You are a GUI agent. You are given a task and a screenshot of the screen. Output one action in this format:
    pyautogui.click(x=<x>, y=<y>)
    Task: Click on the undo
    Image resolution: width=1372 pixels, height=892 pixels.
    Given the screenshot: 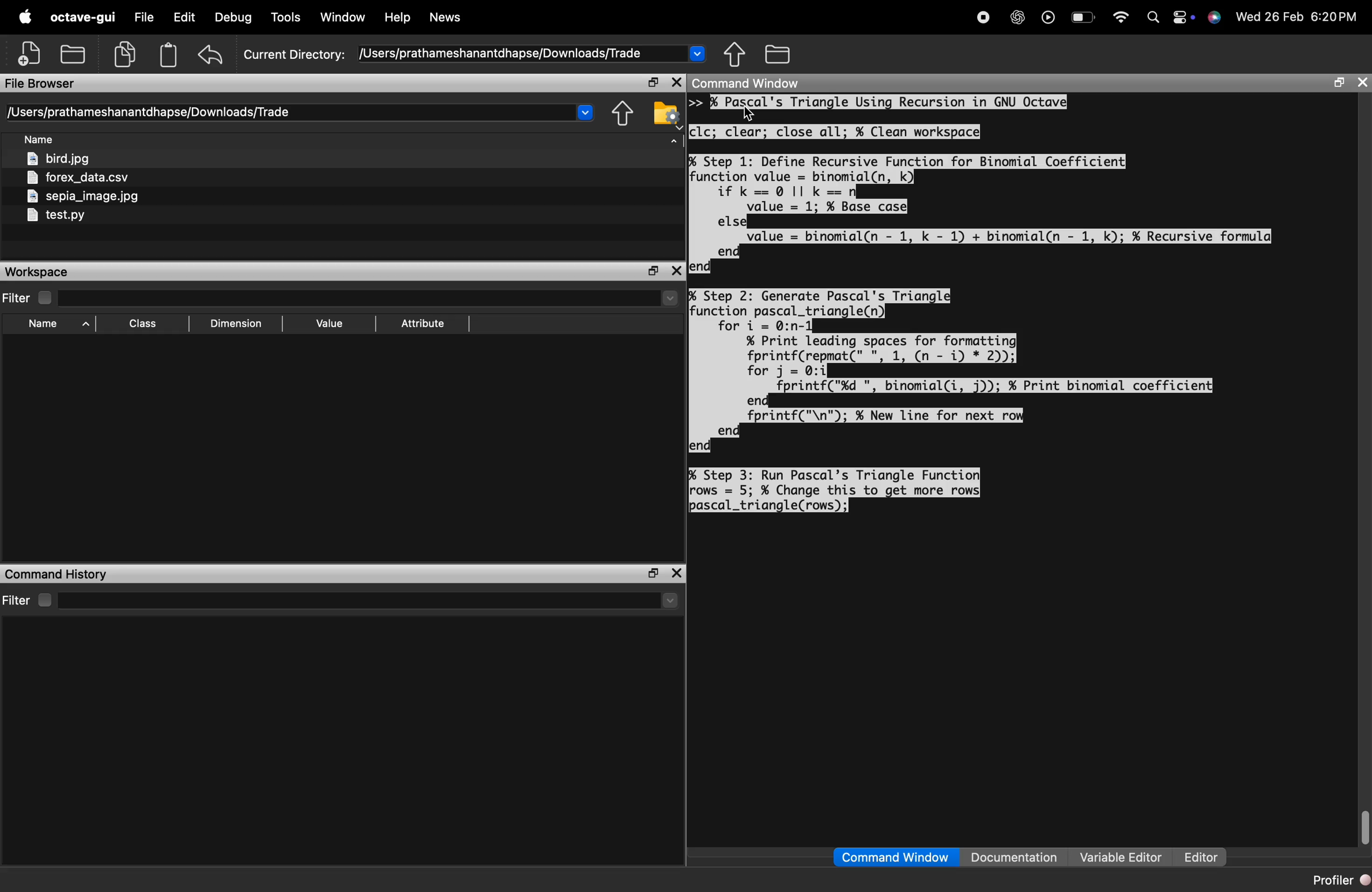 What is the action you would take?
    pyautogui.click(x=212, y=55)
    